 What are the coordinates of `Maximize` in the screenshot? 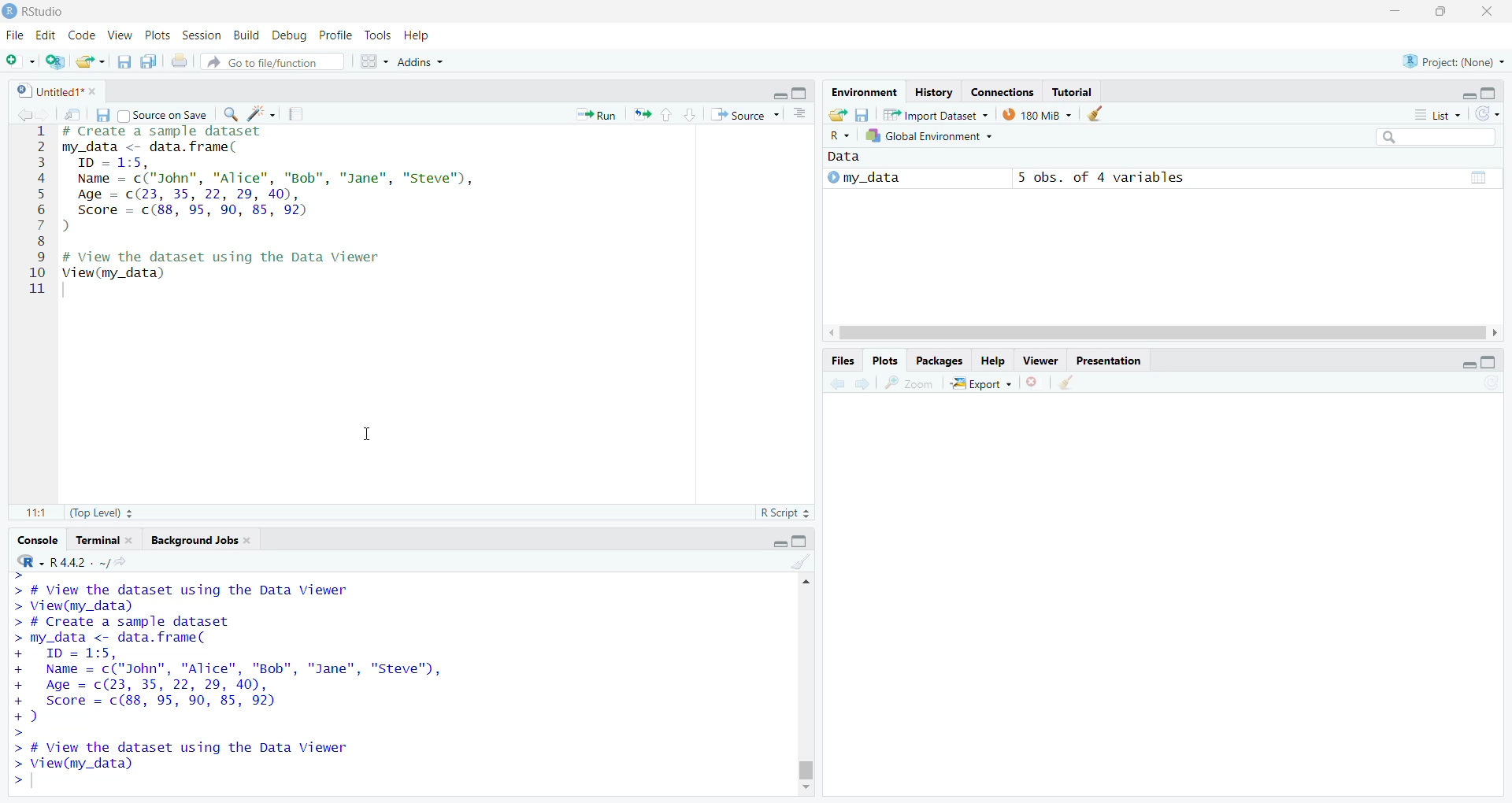 It's located at (1488, 94).